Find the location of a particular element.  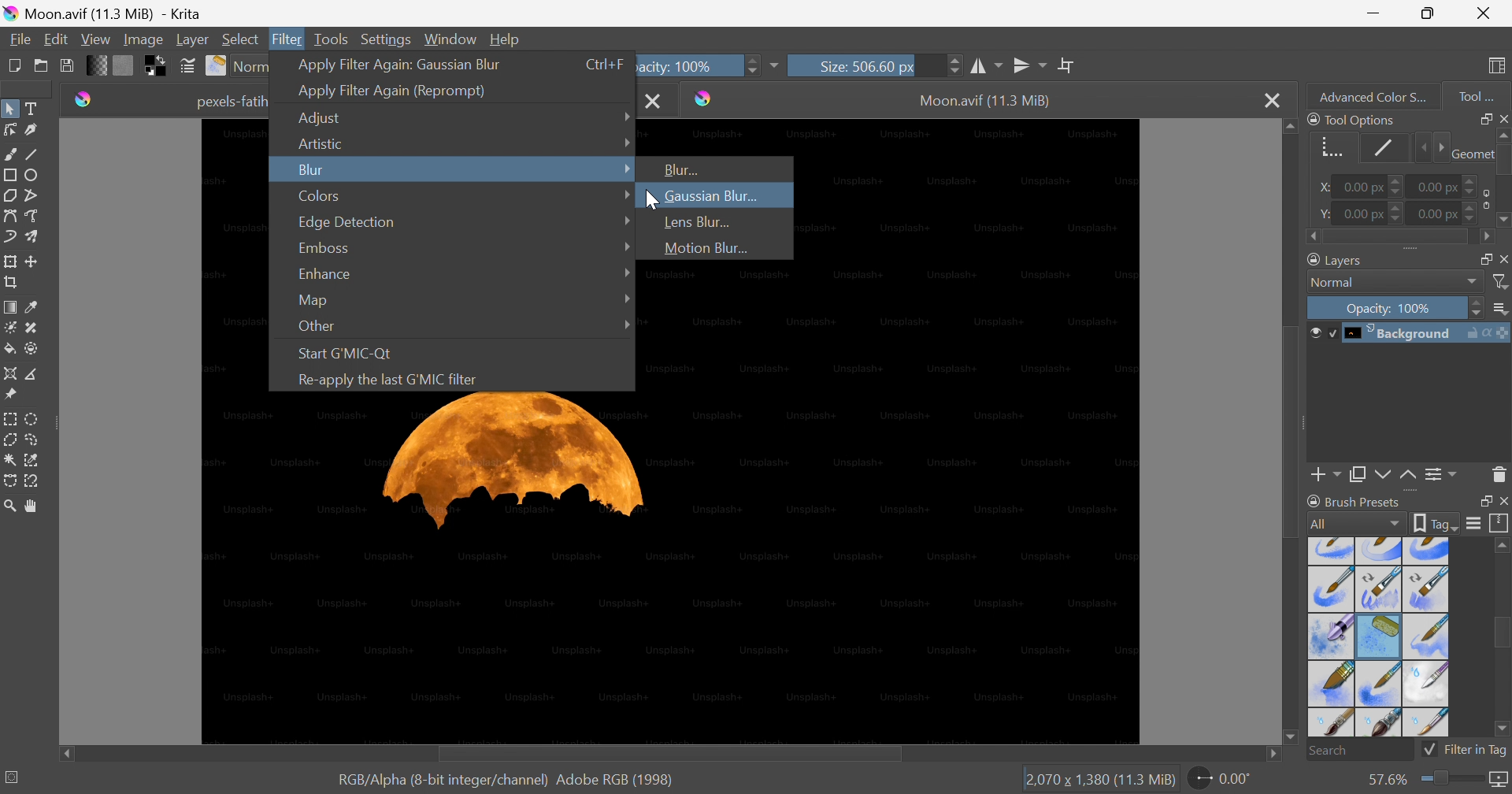

Freehand selection tool is located at coordinates (35, 439).